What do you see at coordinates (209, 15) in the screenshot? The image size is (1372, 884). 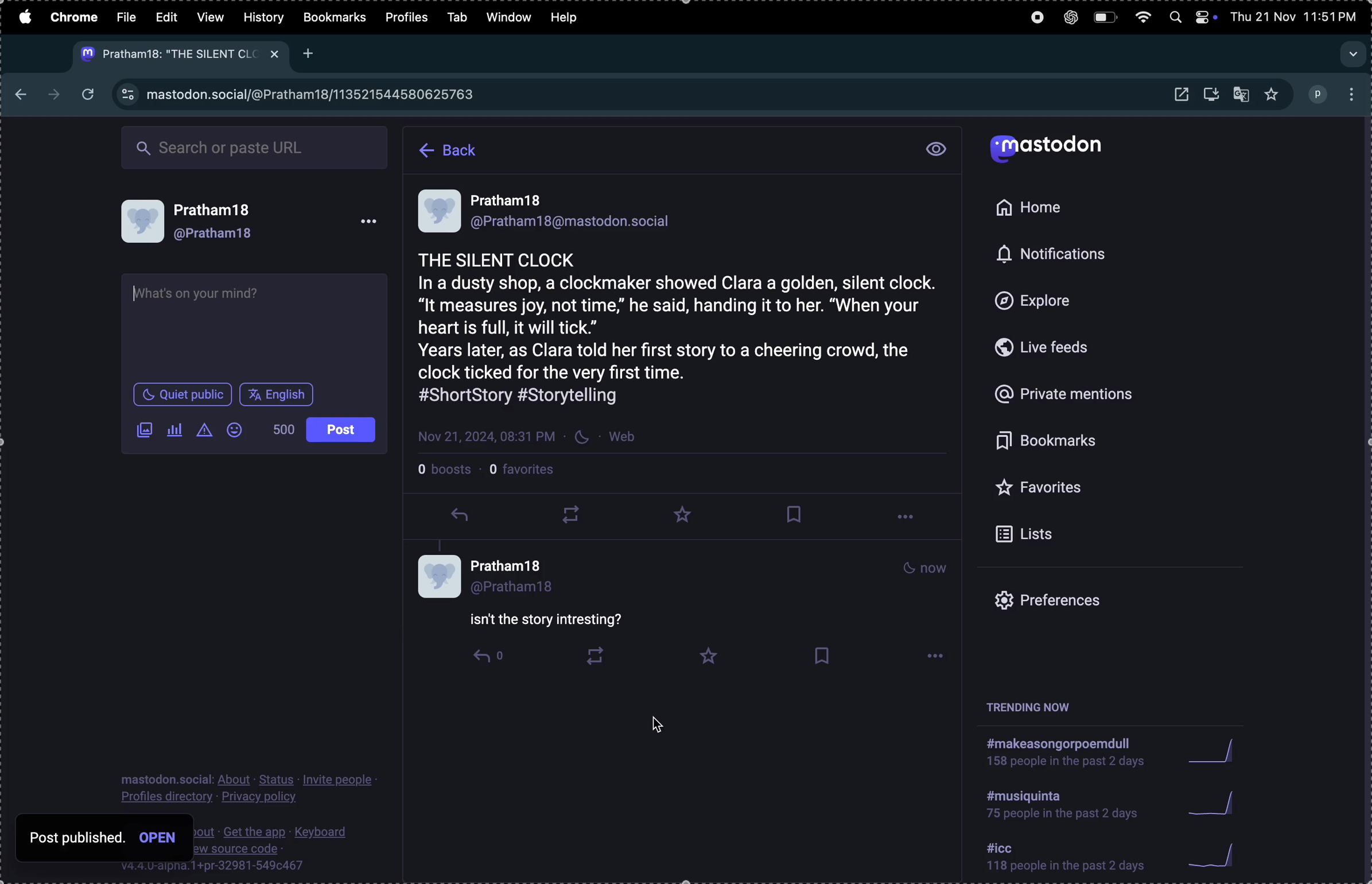 I see `view` at bounding box center [209, 15].